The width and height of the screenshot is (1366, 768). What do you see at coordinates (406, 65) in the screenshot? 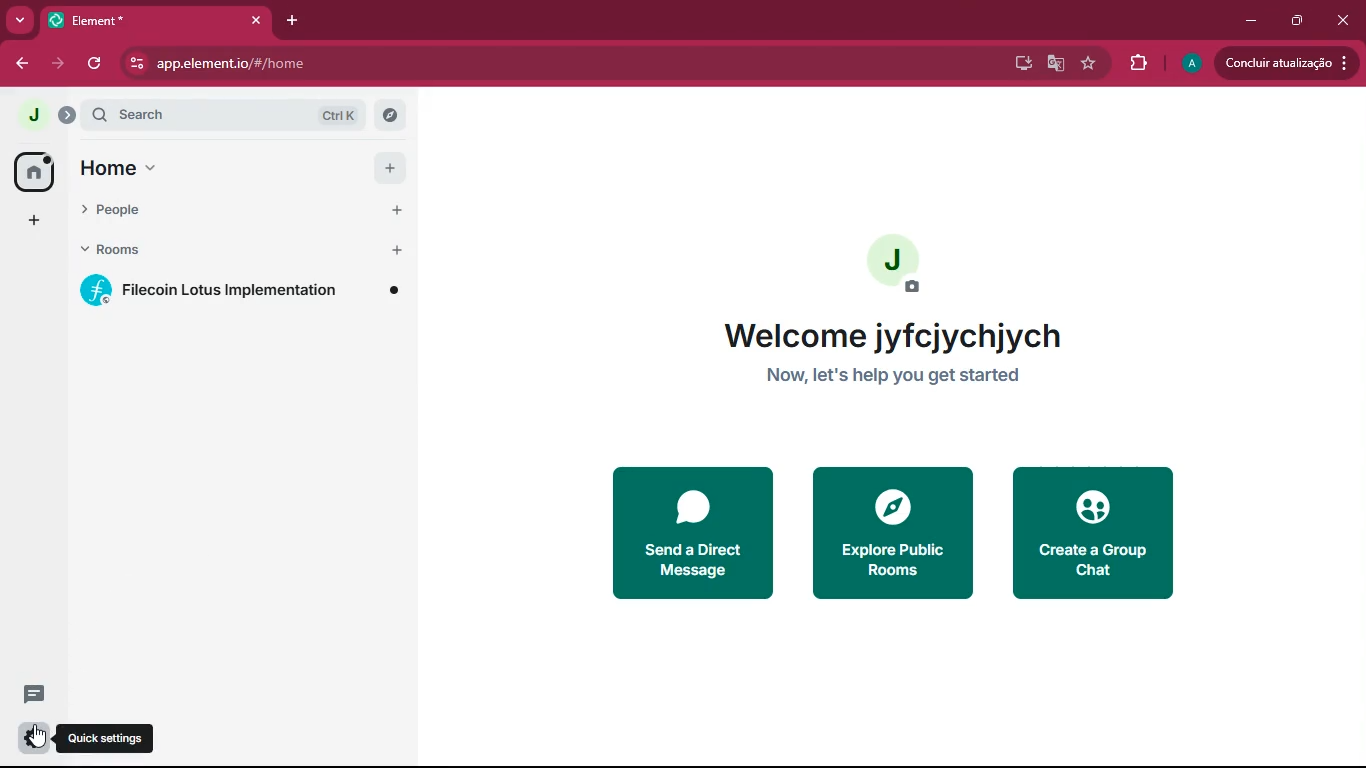
I see `app.element.io/#/home` at bounding box center [406, 65].